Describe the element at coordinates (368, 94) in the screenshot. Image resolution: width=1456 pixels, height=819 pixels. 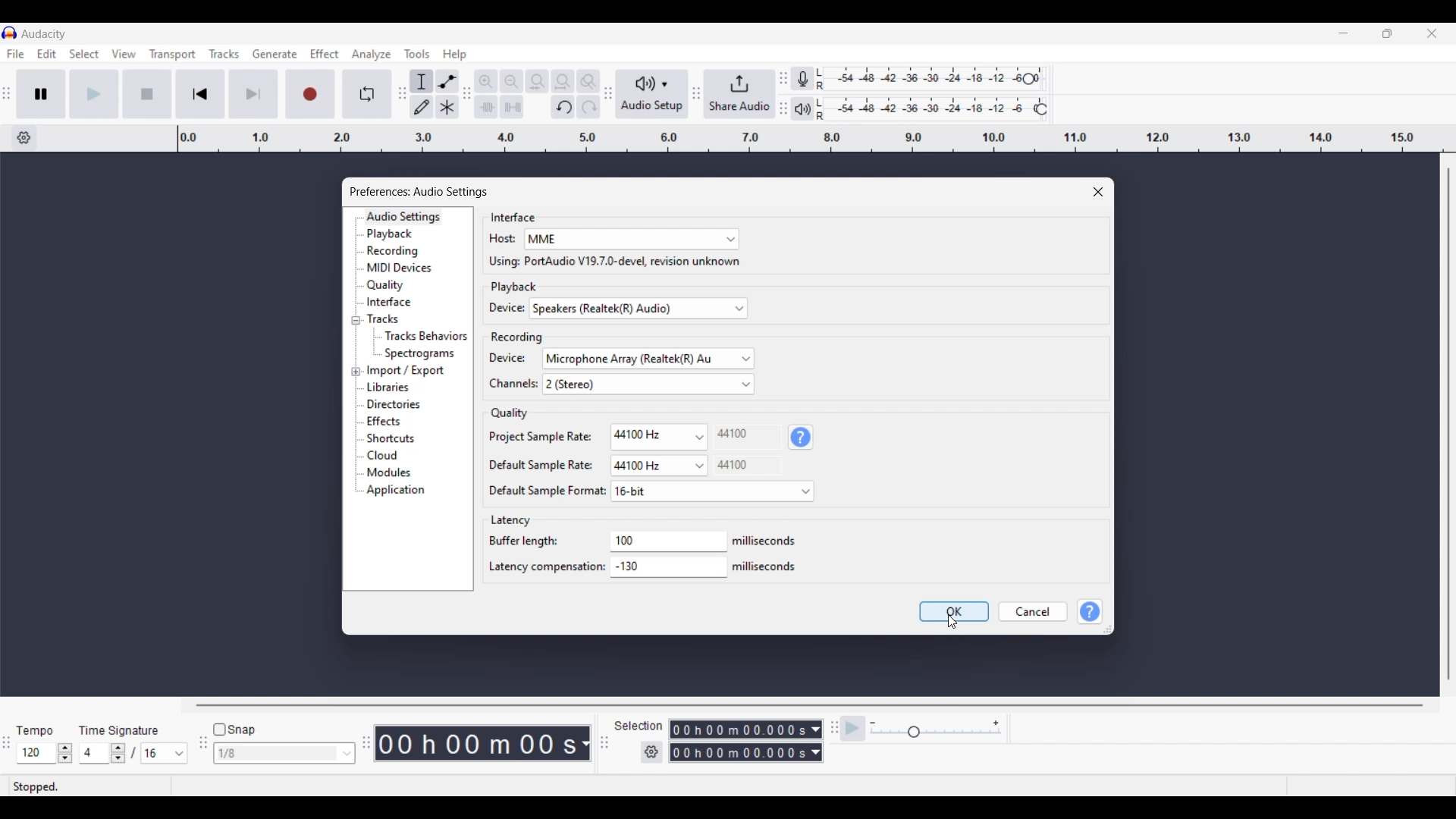
I see `Enable looping` at that location.